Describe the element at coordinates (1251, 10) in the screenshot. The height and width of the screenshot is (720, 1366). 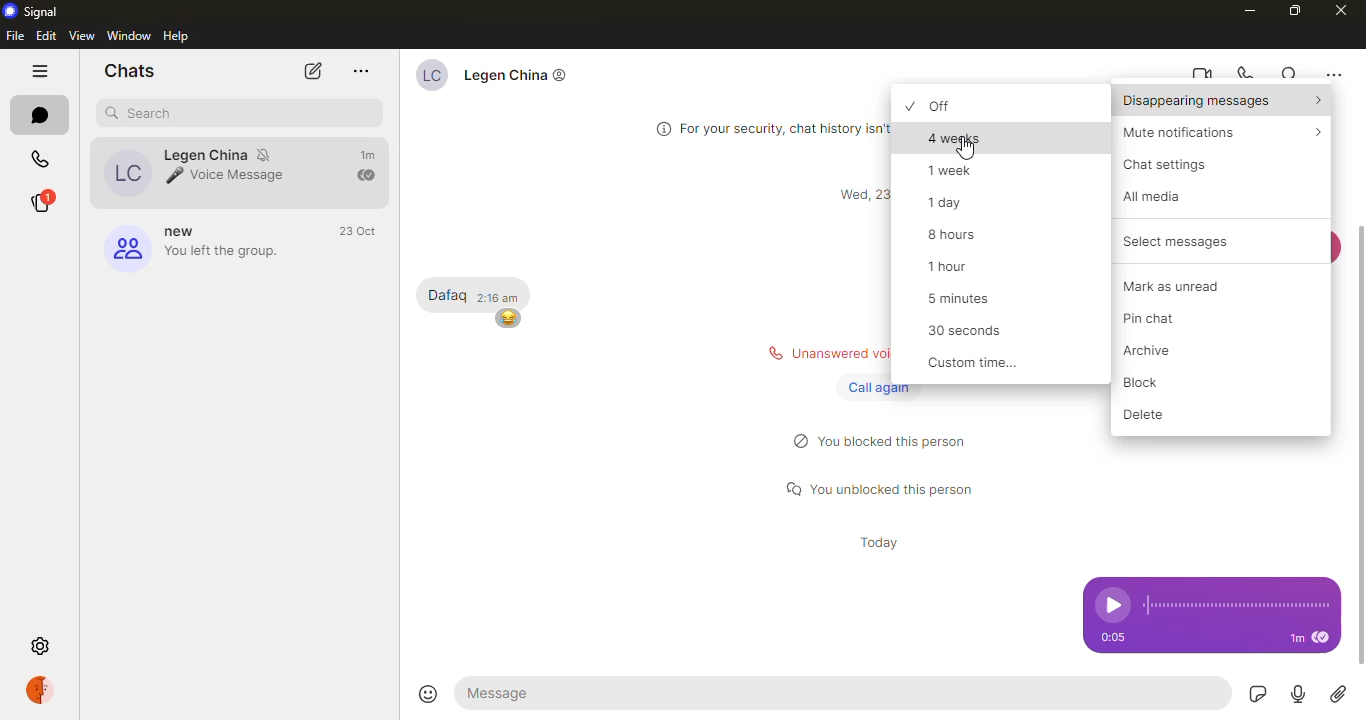
I see `minimize` at that location.